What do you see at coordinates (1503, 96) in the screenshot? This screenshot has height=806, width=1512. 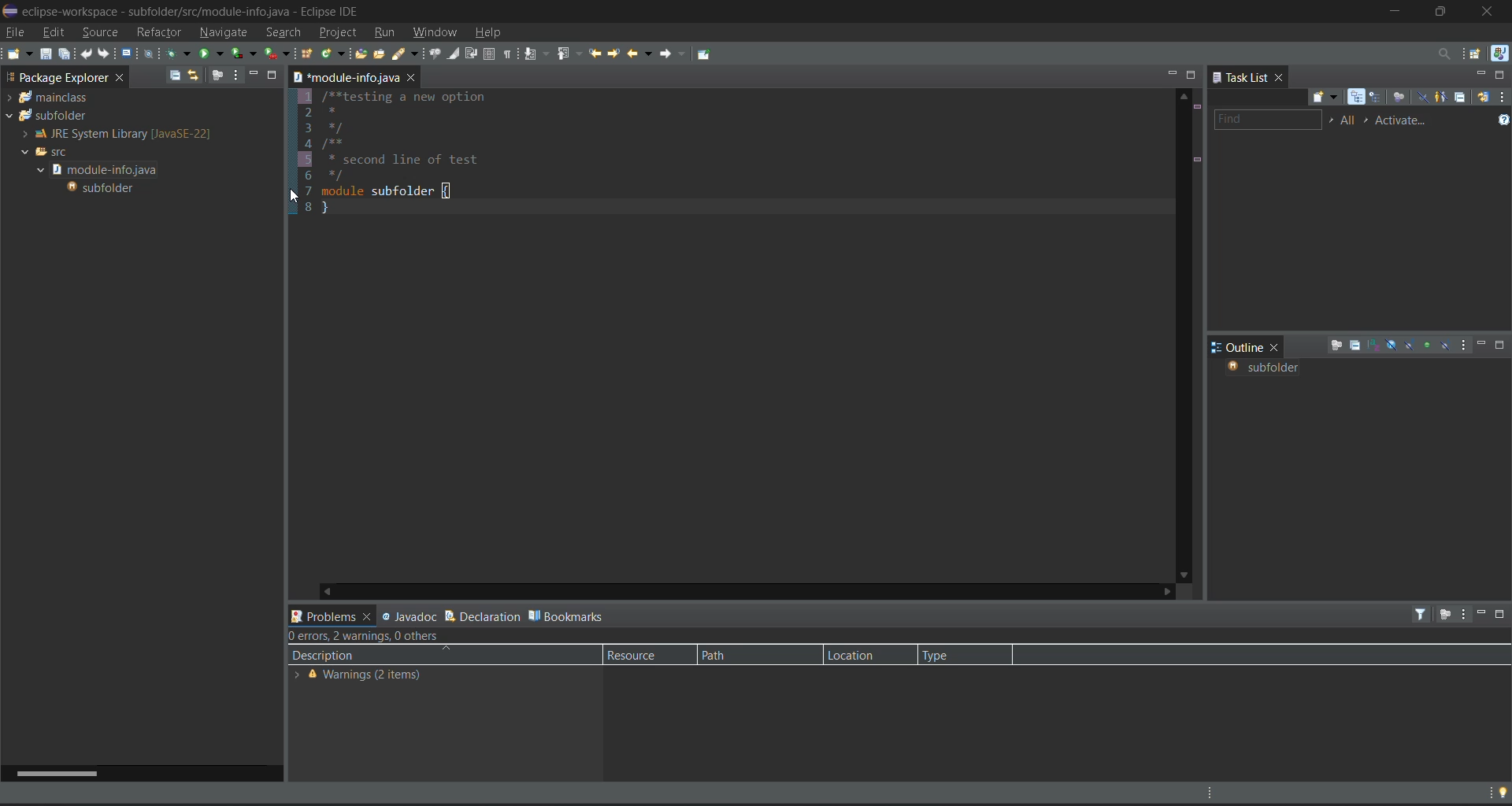 I see `view menu` at bounding box center [1503, 96].